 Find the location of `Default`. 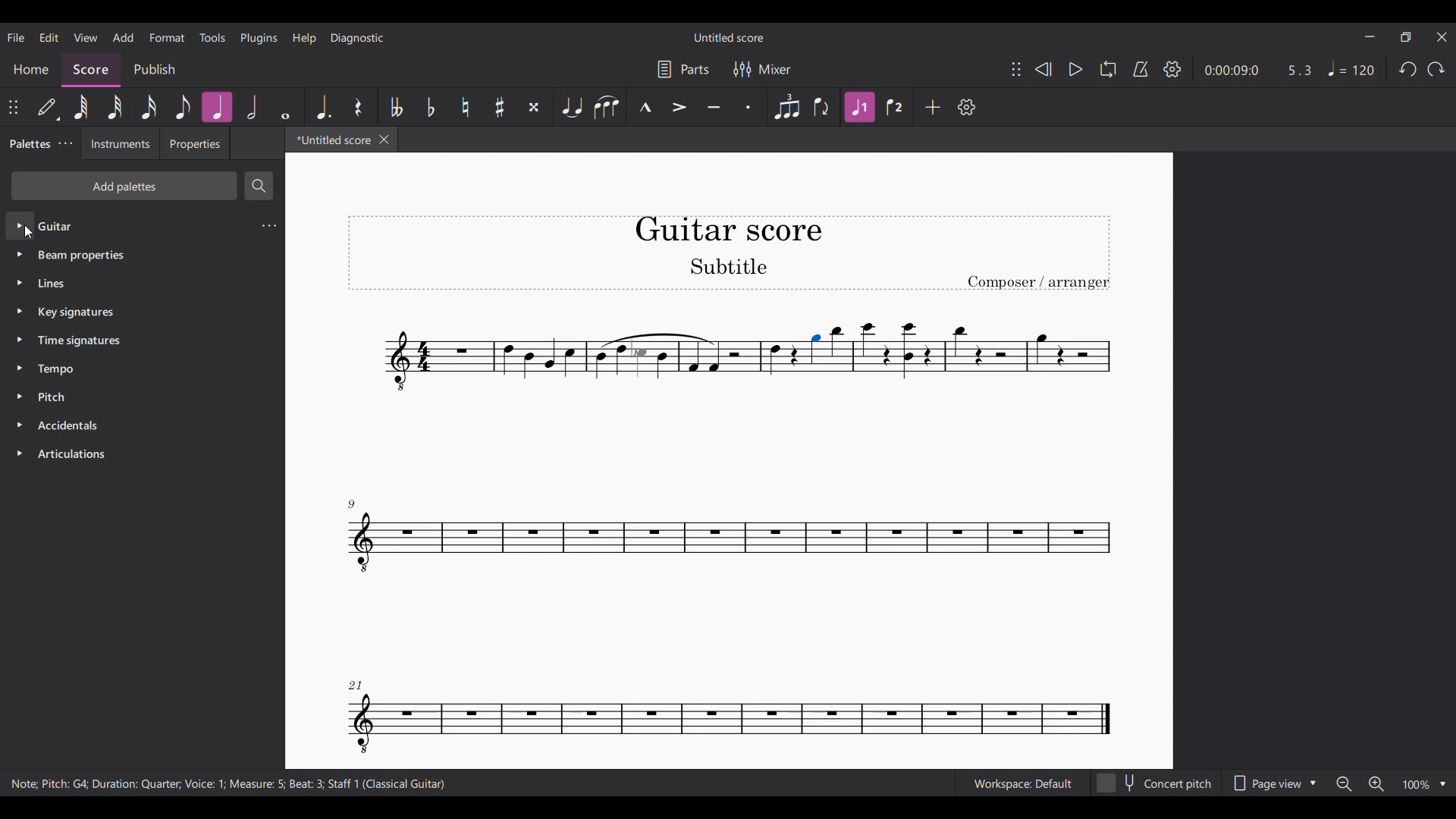

Default is located at coordinates (49, 108).